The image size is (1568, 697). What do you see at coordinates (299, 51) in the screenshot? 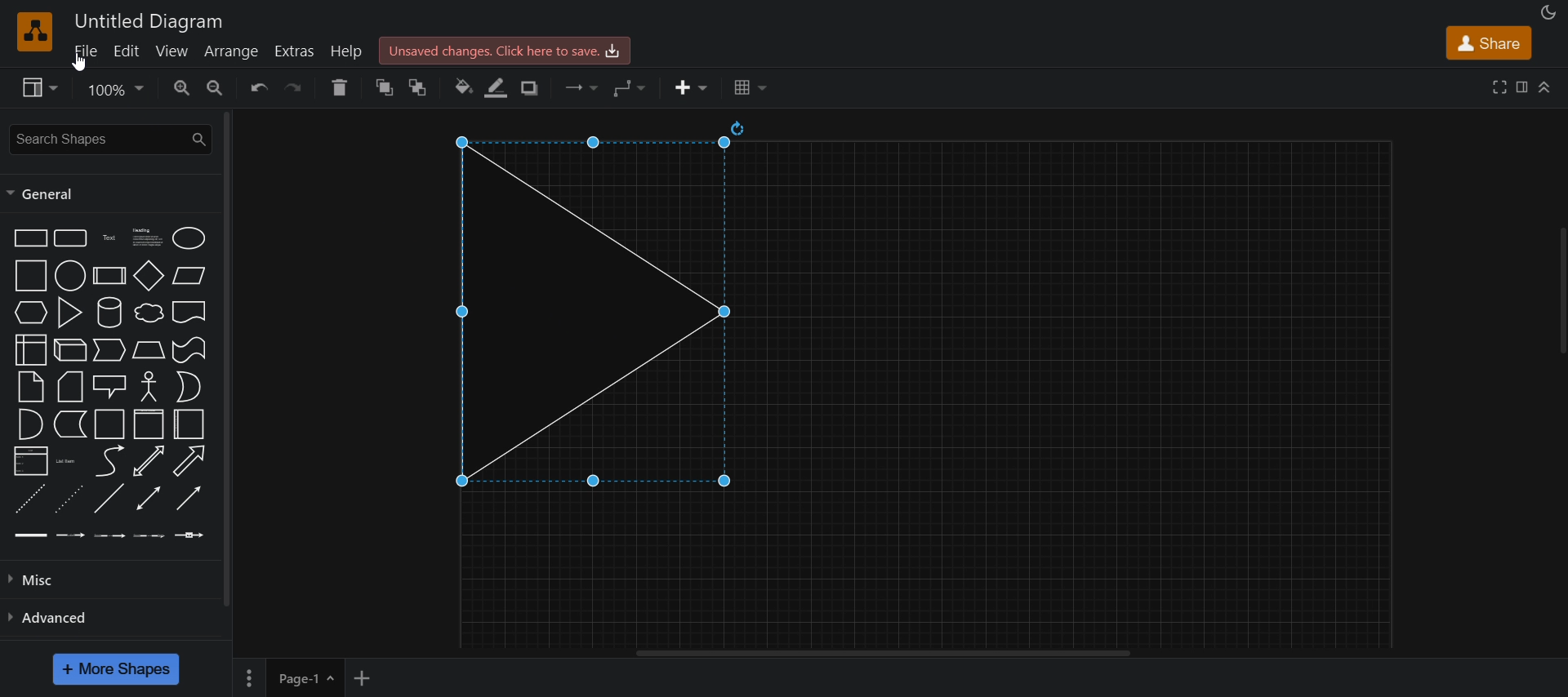
I see `extras` at bounding box center [299, 51].